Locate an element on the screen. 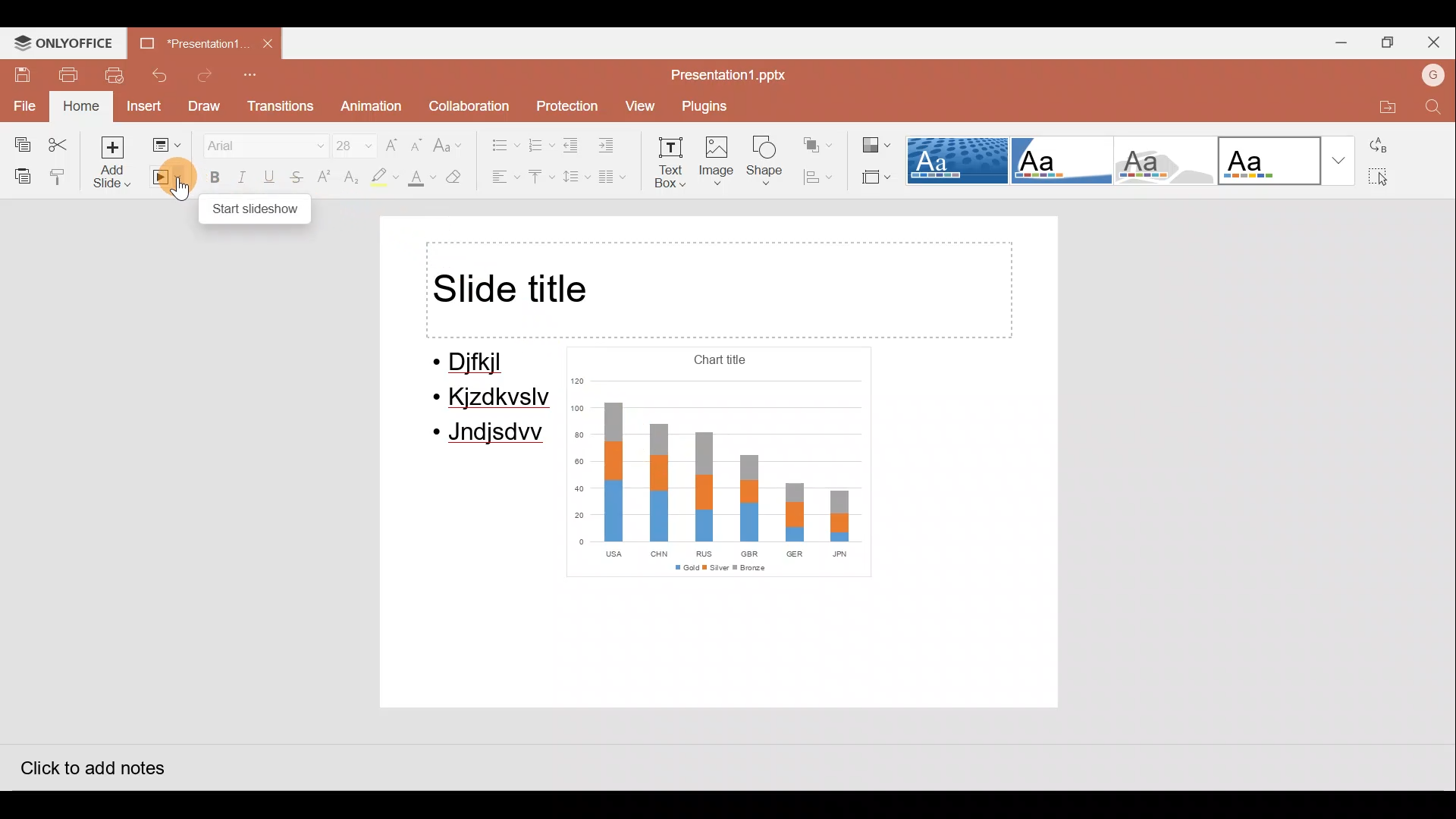  Increase indent is located at coordinates (613, 143).